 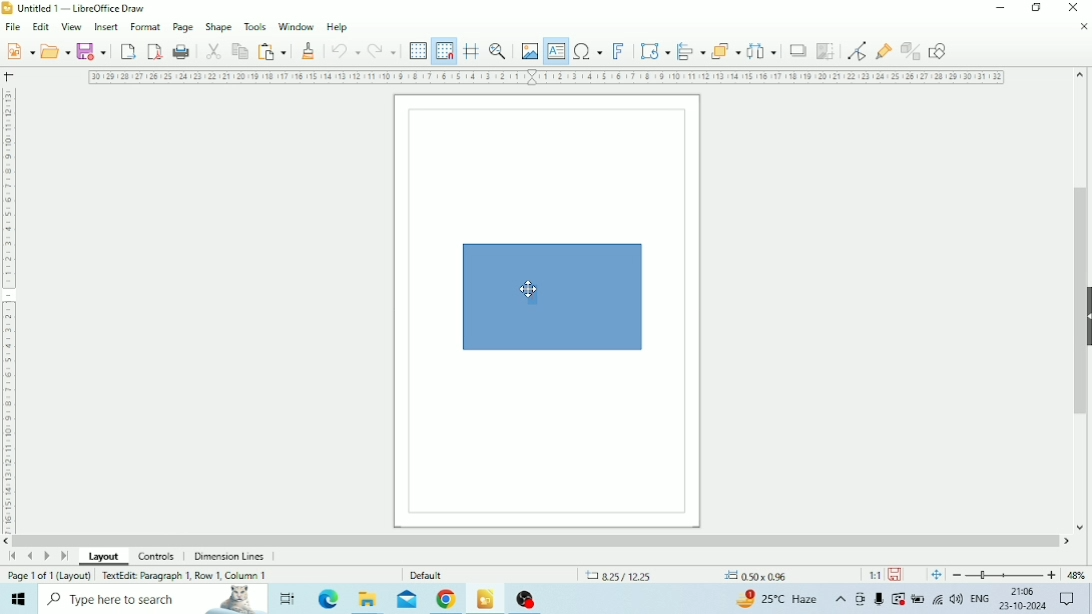 I want to click on Internet, so click(x=938, y=601).